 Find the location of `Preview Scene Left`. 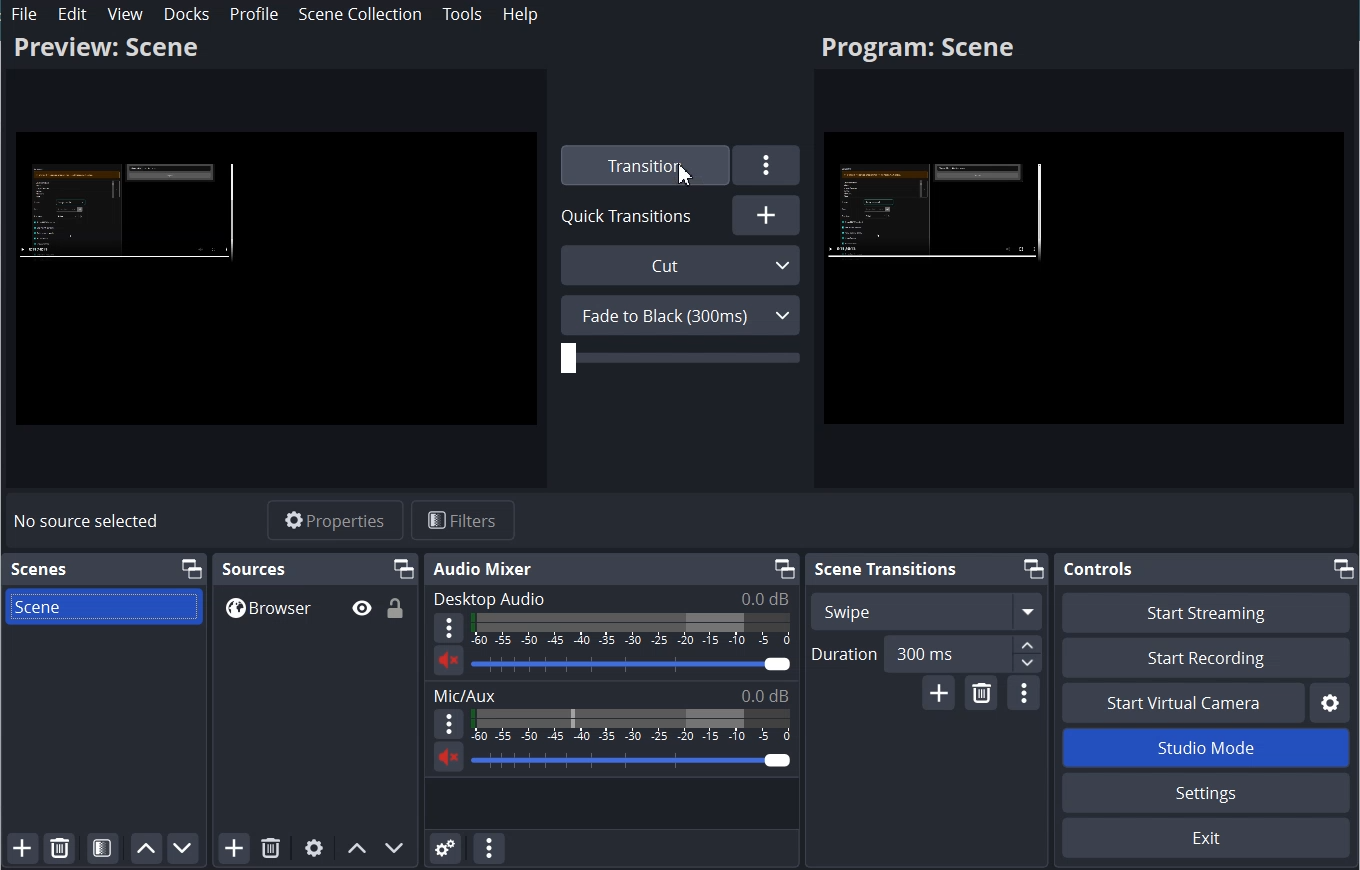

Preview Scene Left is located at coordinates (276, 280).